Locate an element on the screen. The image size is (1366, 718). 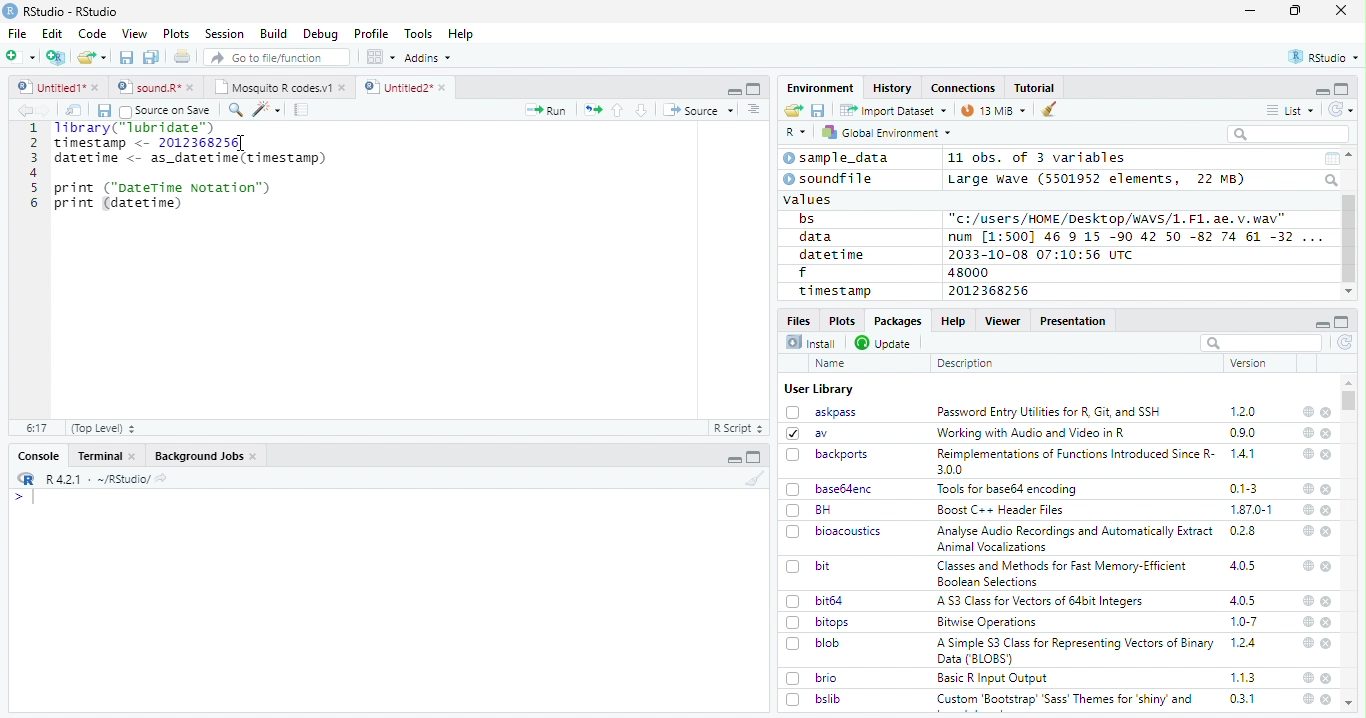
Files is located at coordinates (800, 319).